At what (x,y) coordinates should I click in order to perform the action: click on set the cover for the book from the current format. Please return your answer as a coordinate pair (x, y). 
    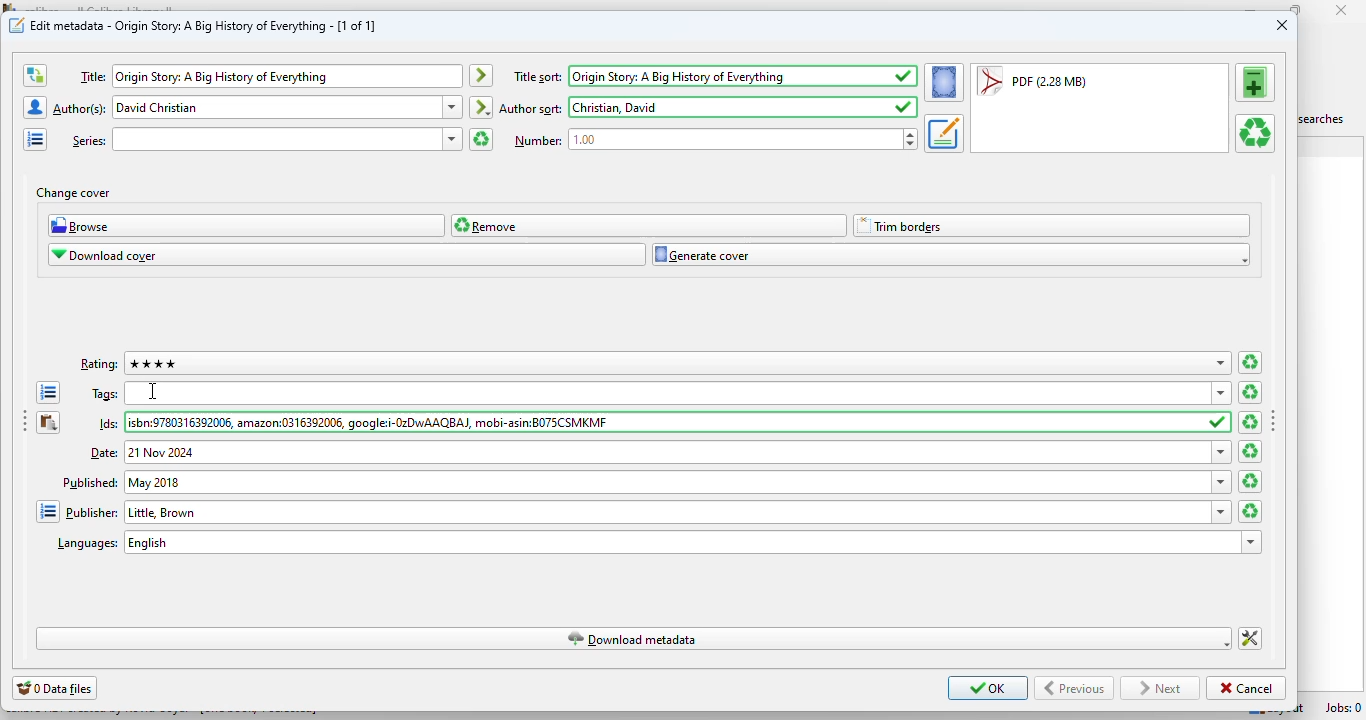
    Looking at the image, I should click on (944, 82).